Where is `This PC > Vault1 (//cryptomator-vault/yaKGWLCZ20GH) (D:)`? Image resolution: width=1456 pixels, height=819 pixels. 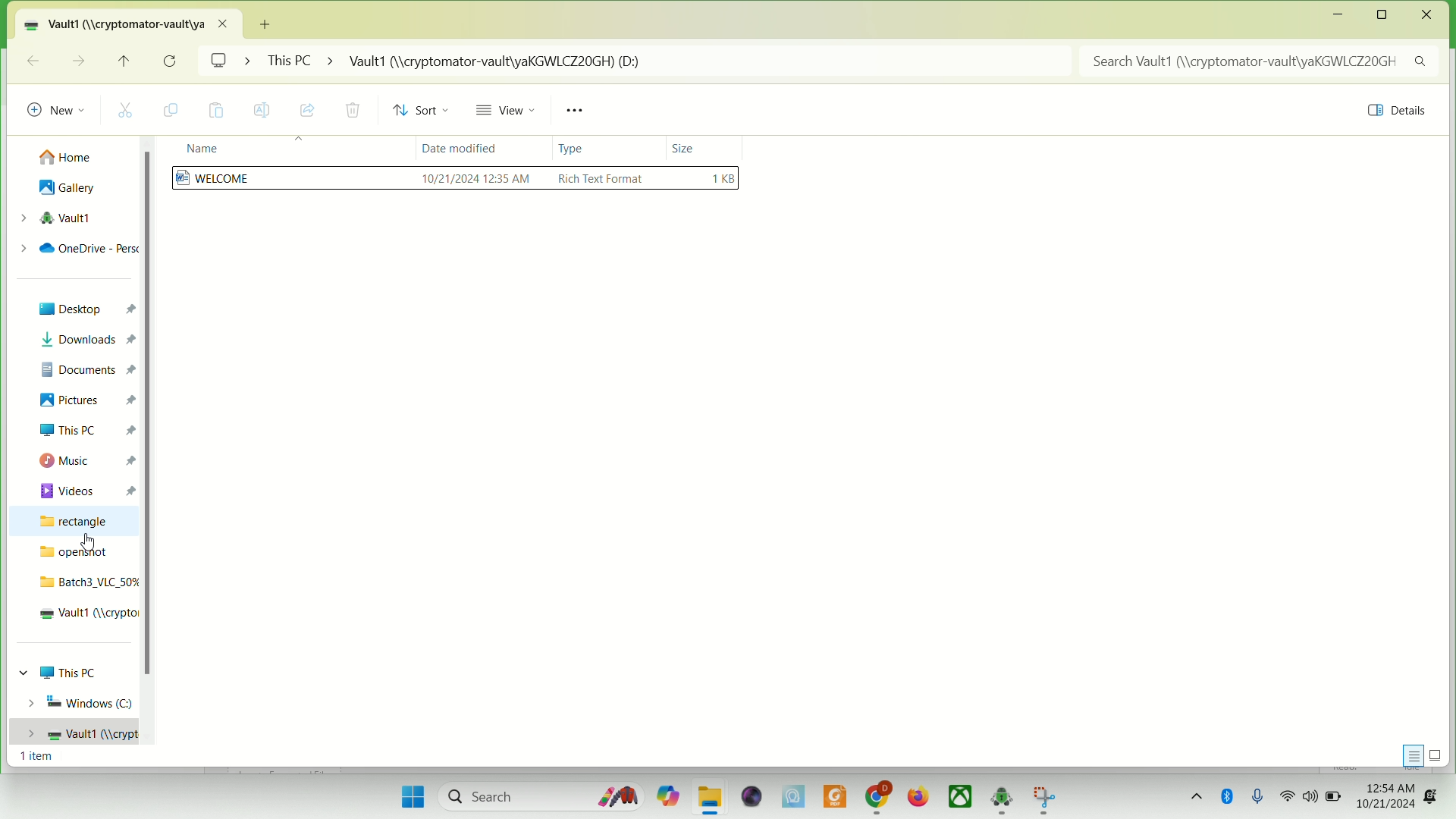 This PC > Vault1 (//cryptomator-vault/yaKGWLCZ20GH) (D:) is located at coordinates (668, 63).